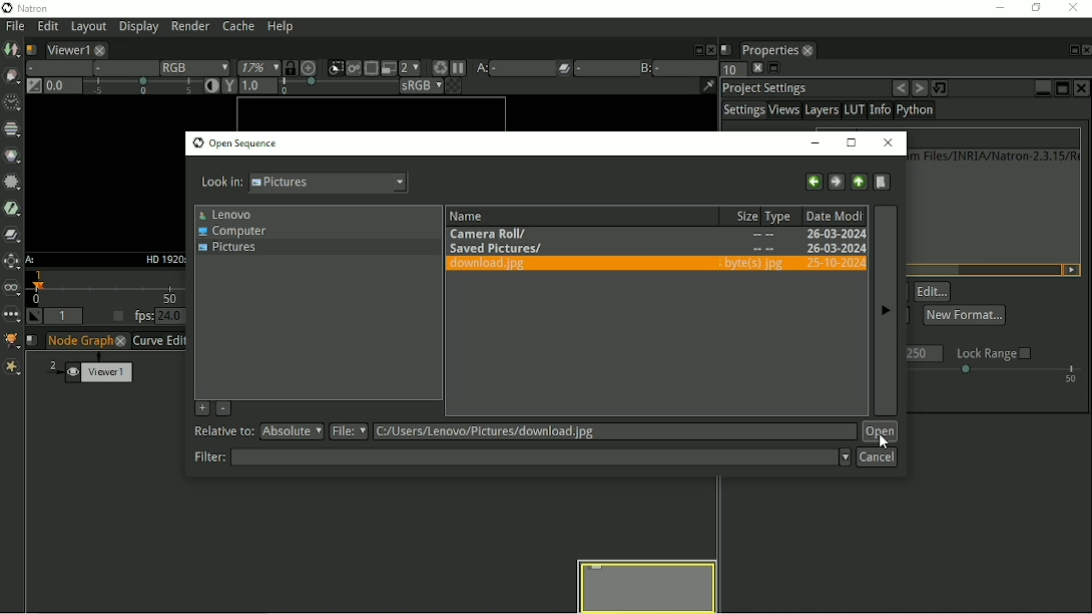 This screenshot has height=614, width=1092. What do you see at coordinates (66, 317) in the screenshot?
I see `Playback in point` at bounding box center [66, 317].